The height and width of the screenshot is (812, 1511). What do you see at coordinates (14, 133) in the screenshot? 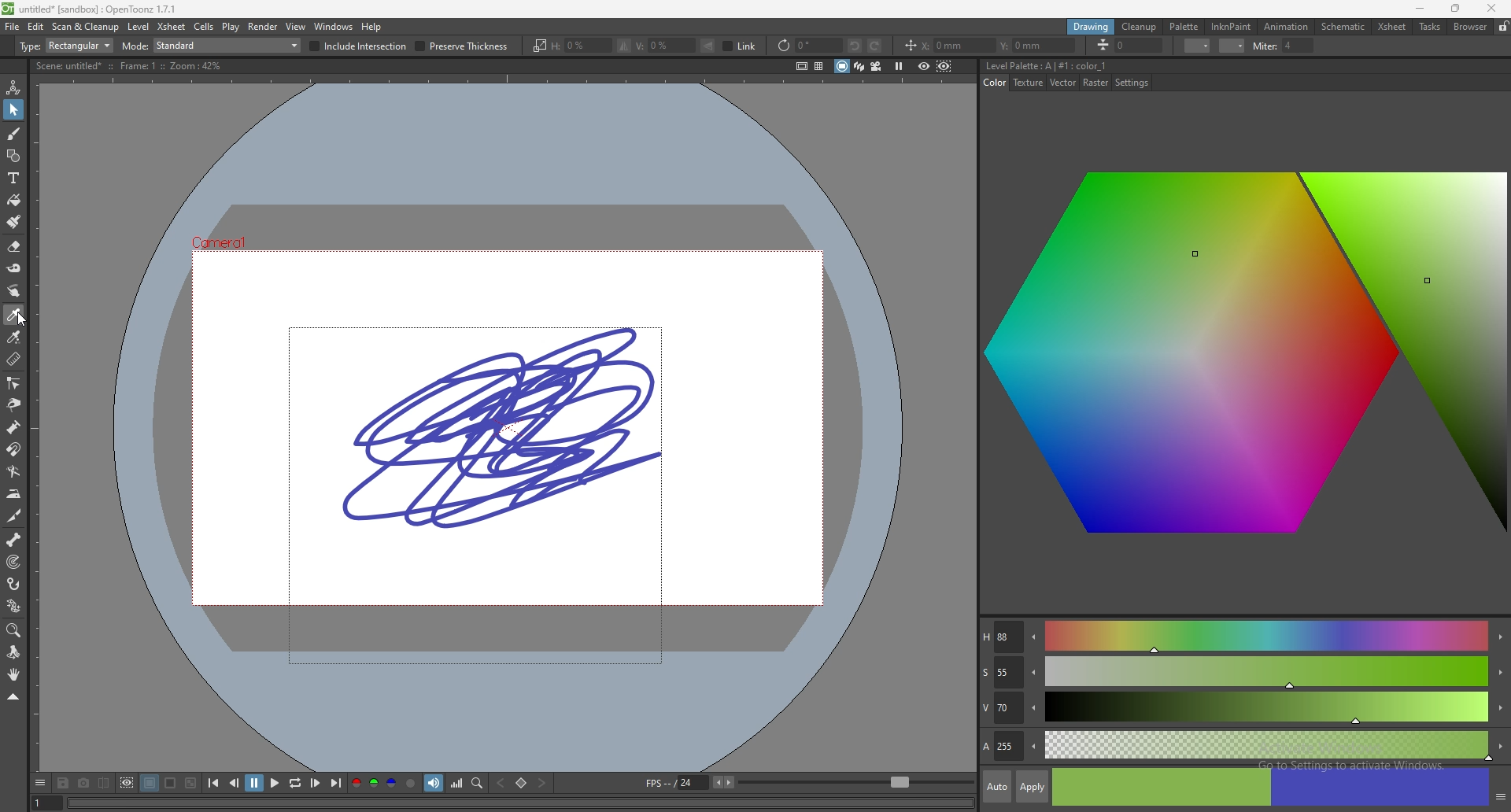
I see `brush tool` at bounding box center [14, 133].